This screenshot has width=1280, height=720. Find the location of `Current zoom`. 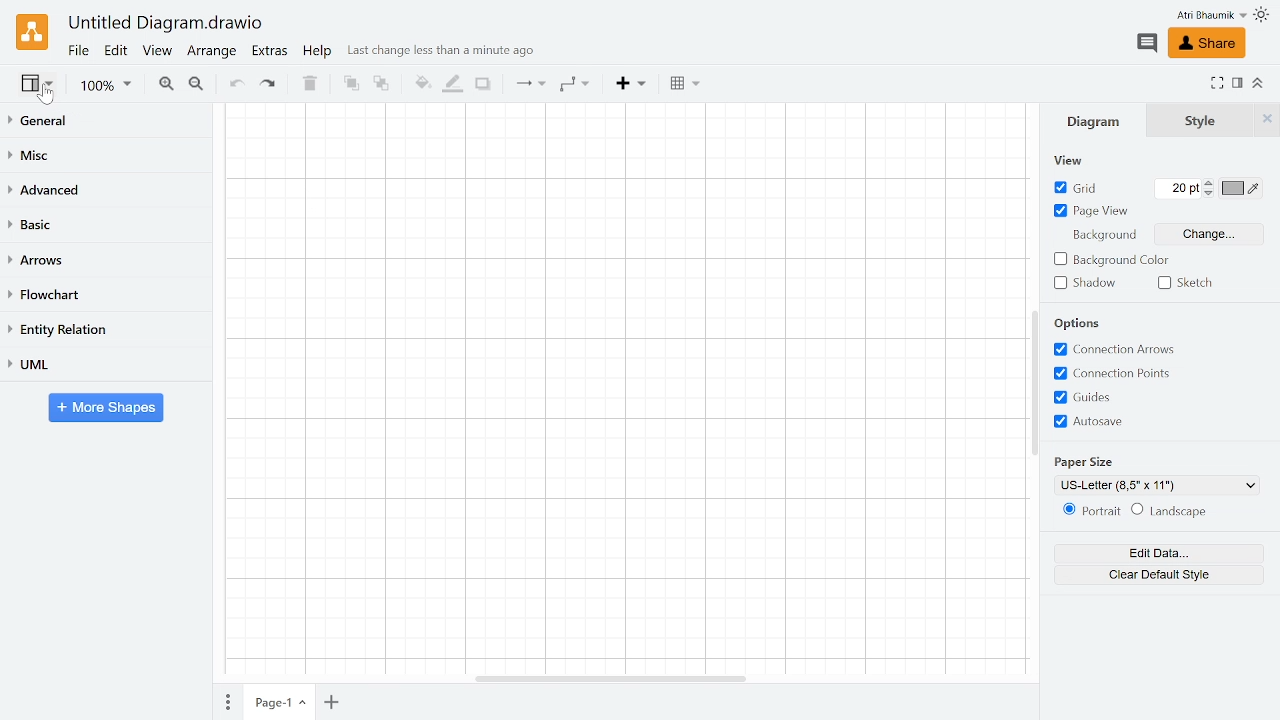

Current zoom is located at coordinates (109, 87).